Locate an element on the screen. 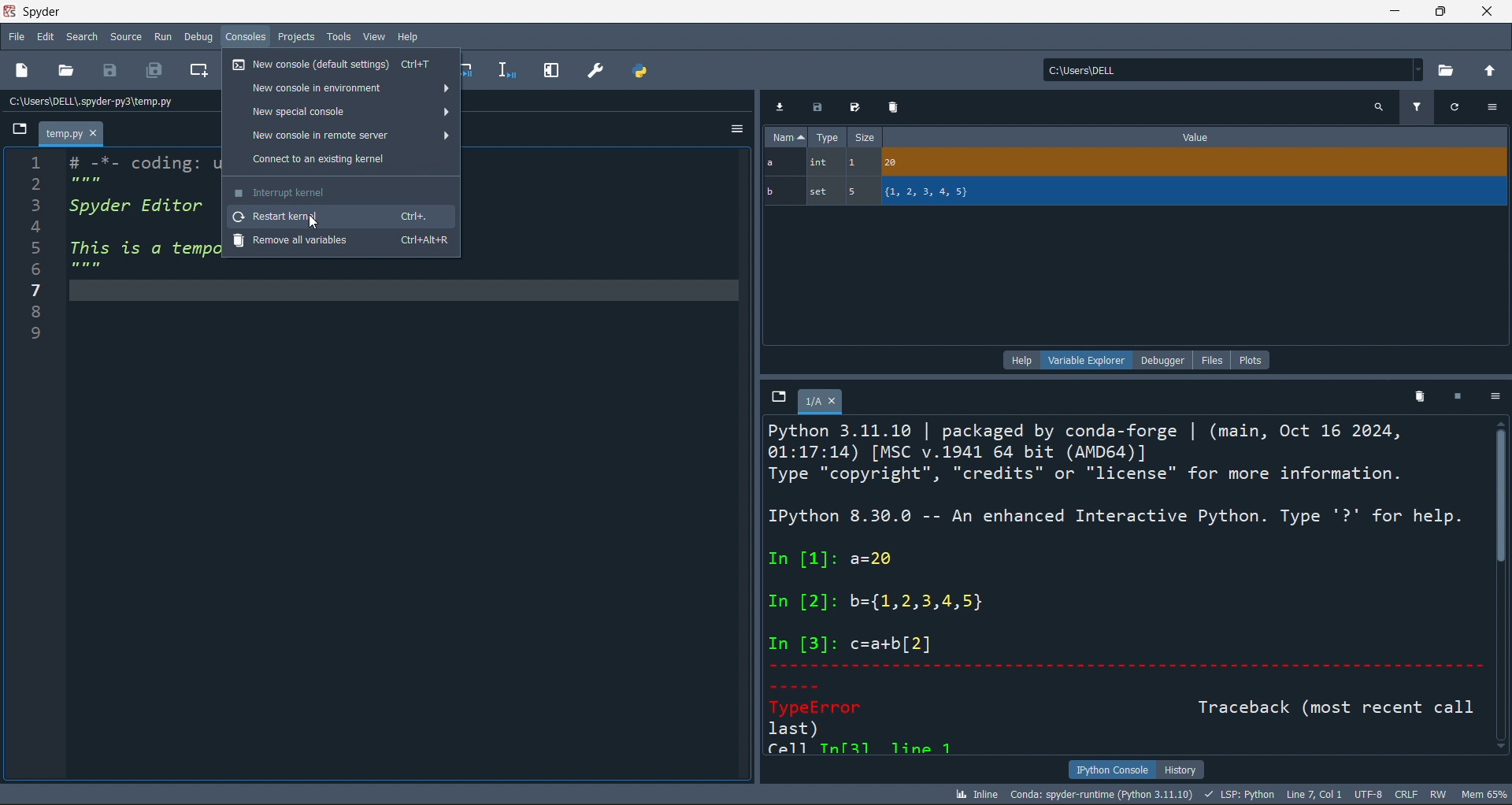 This screenshot has width=1512, height=805. spyder logo is located at coordinates (11, 9).